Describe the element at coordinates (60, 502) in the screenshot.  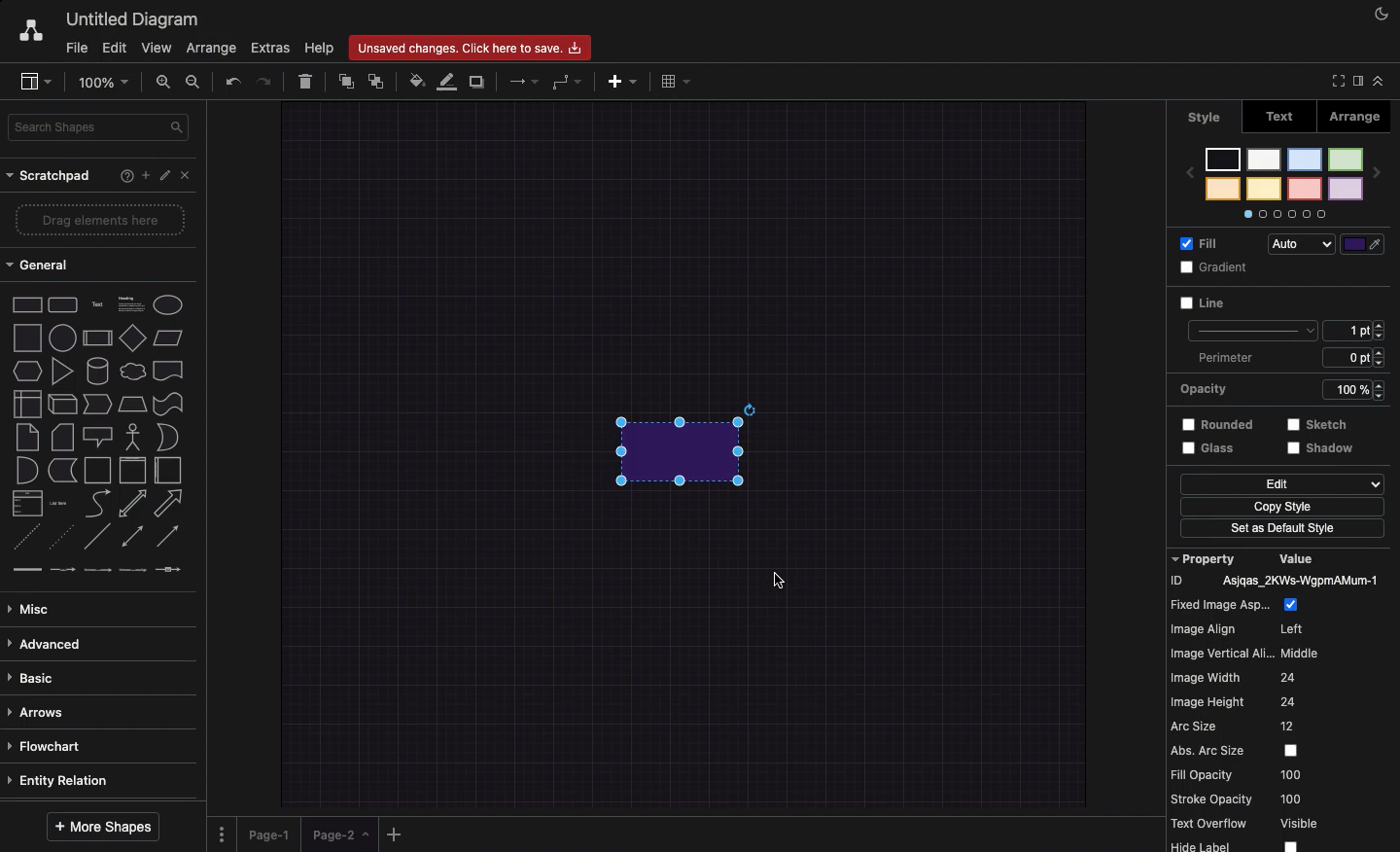
I see `list item` at that location.